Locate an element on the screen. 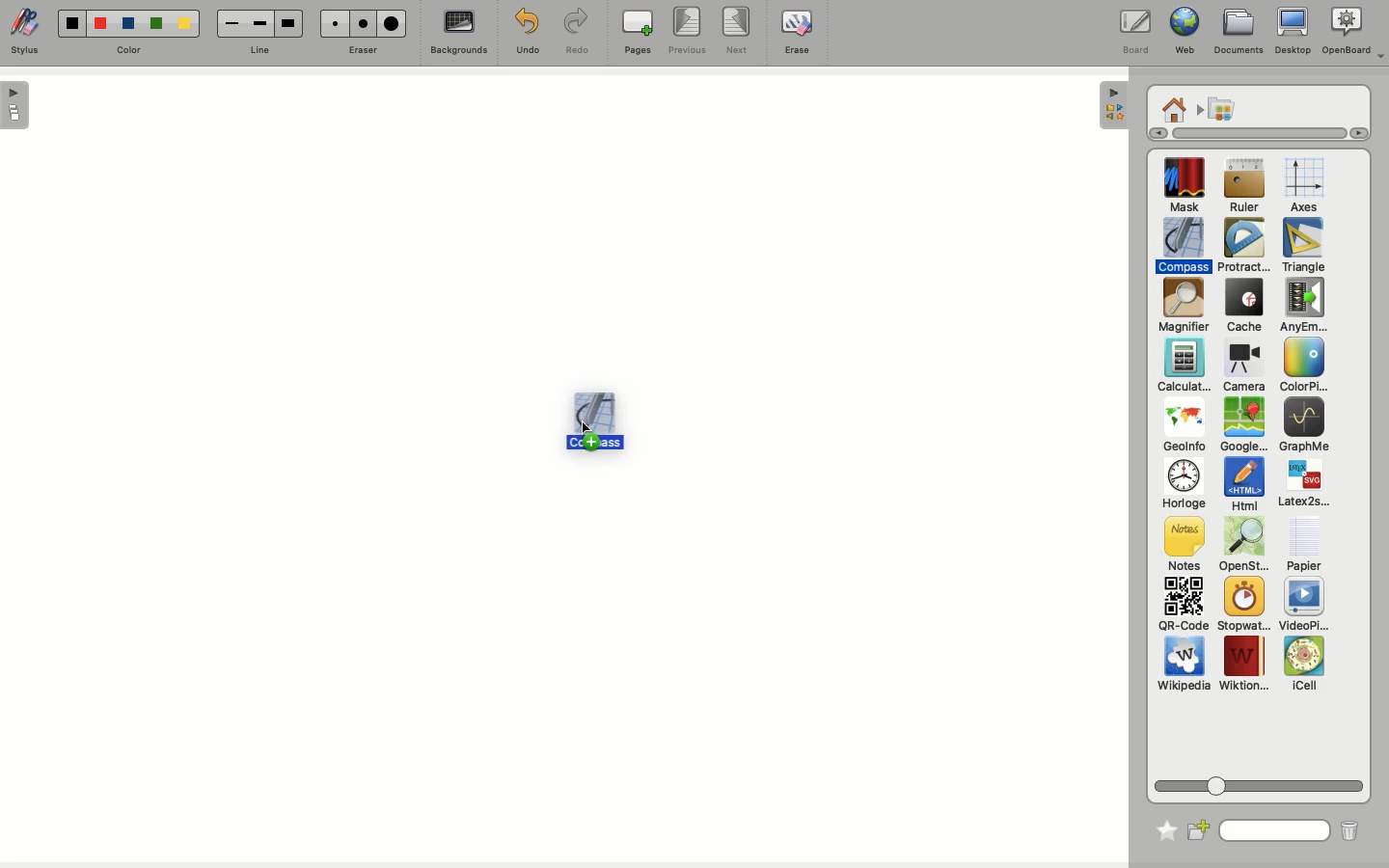  Web is located at coordinates (1182, 33).